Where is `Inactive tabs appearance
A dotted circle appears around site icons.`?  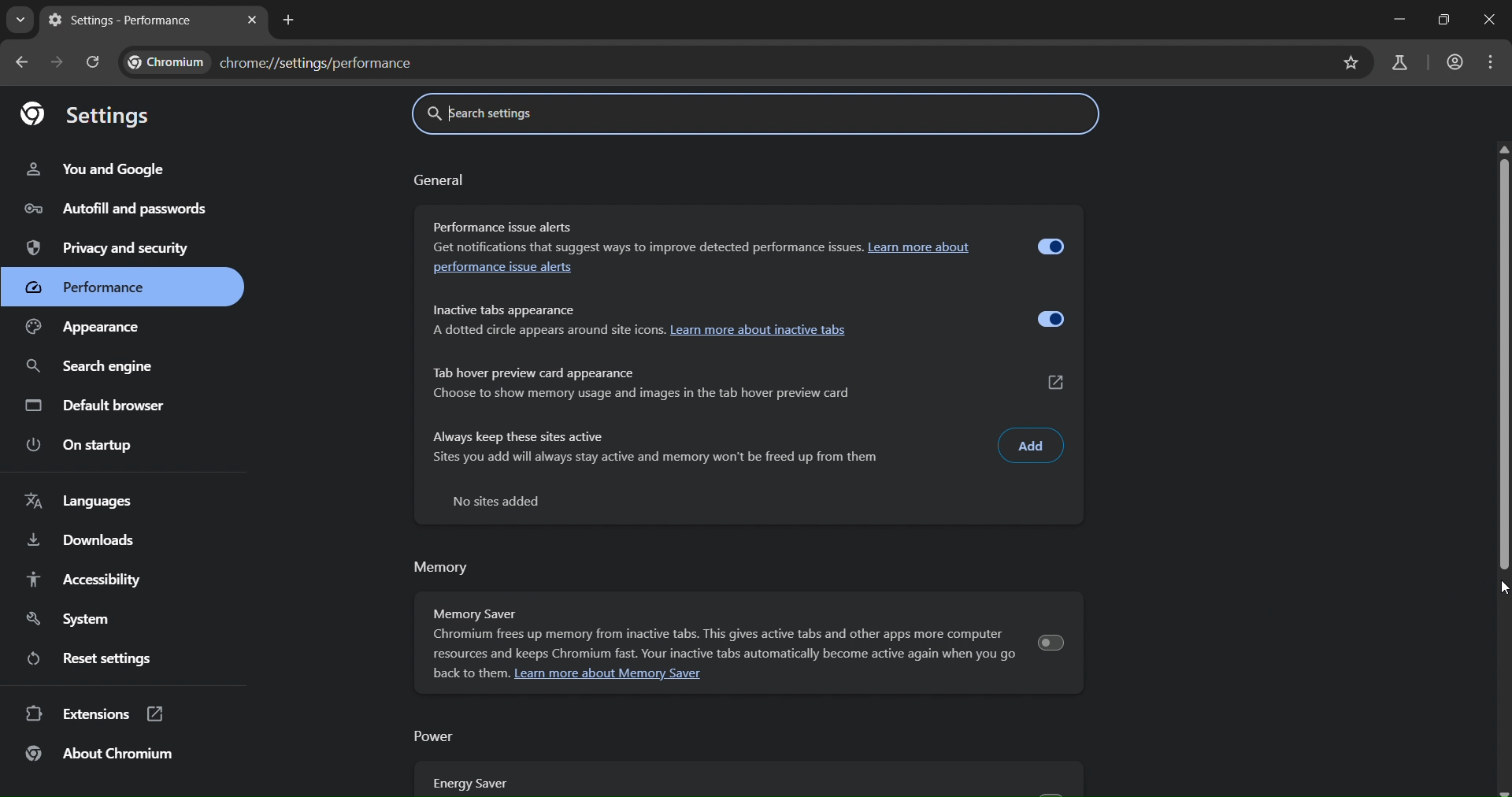 Inactive tabs appearance
A dotted circle appears around site icons. is located at coordinates (547, 321).